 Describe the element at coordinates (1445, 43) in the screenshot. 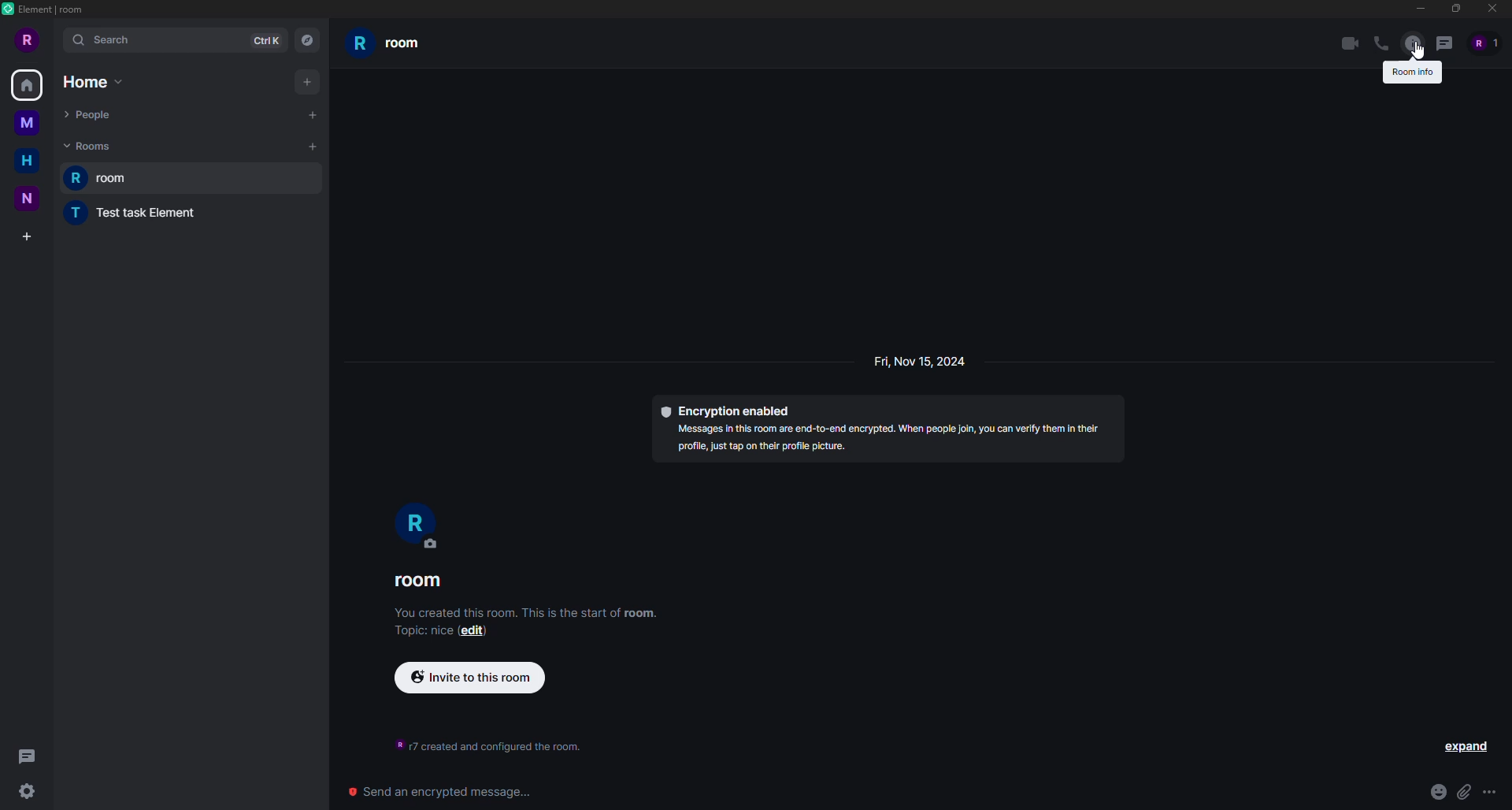

I see `threads` at that location.